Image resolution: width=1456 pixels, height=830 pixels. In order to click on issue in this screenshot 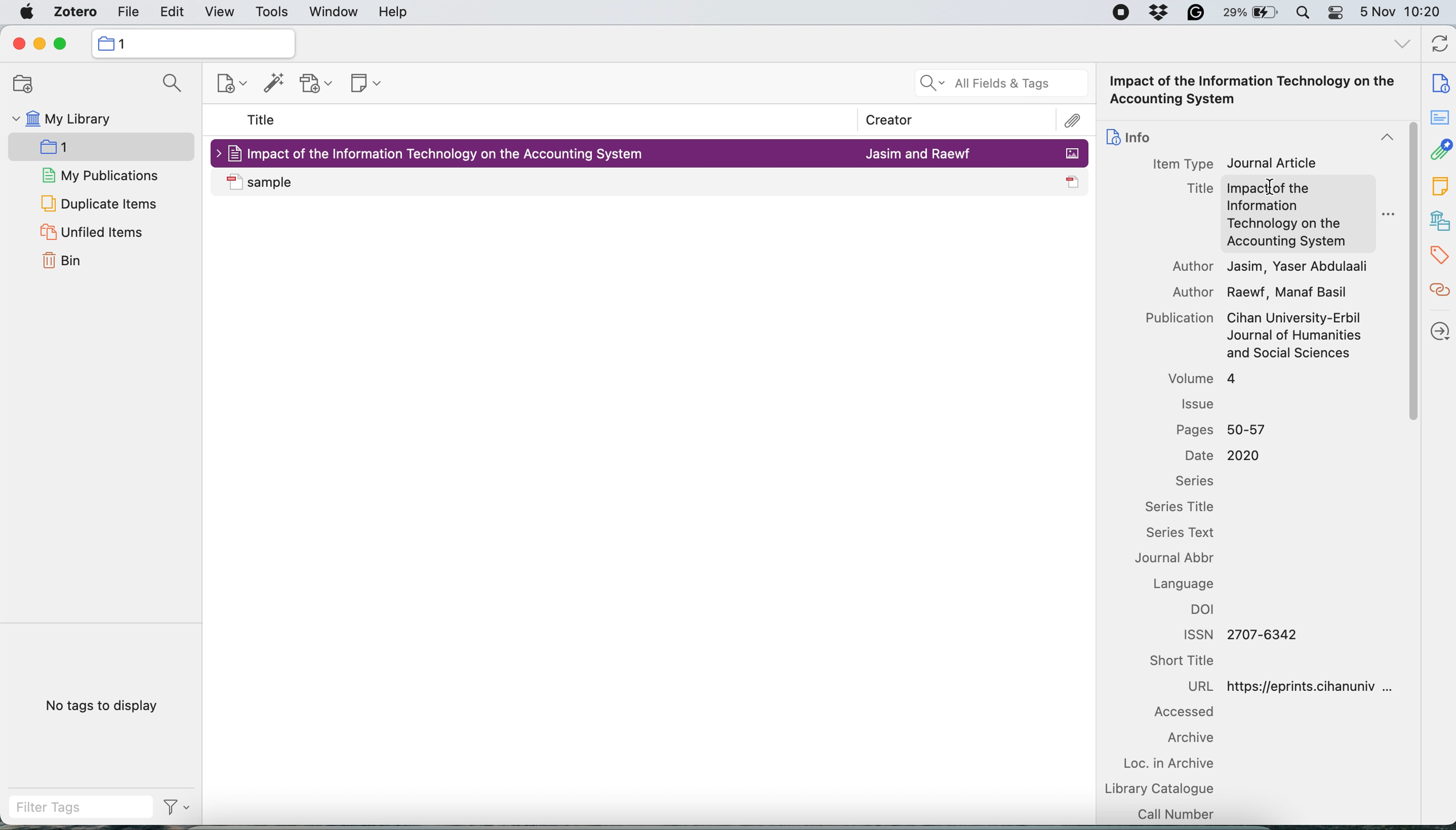, I will do `click(1198, 404)`.